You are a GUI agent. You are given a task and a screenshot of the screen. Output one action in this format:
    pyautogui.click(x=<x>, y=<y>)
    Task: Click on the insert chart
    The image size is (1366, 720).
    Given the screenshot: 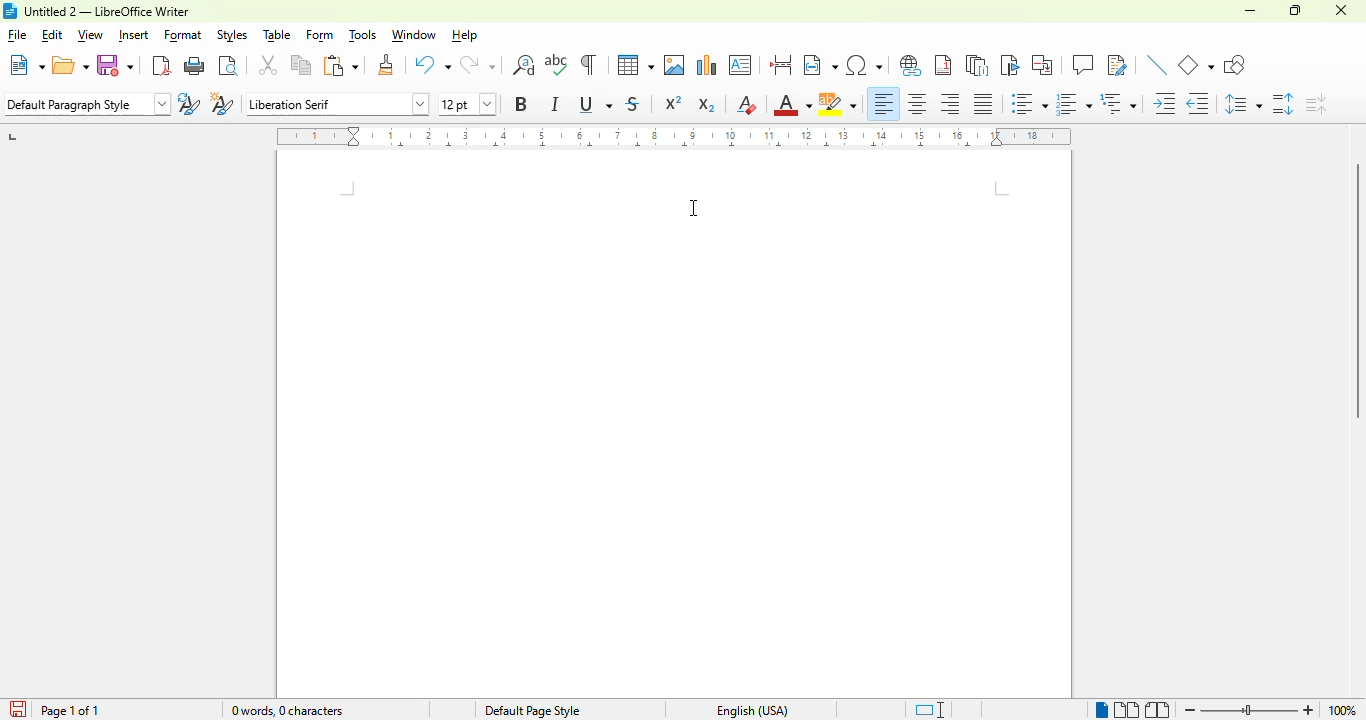 What is the action you would take?
    pyautogui.click(x=707, y=65)
    